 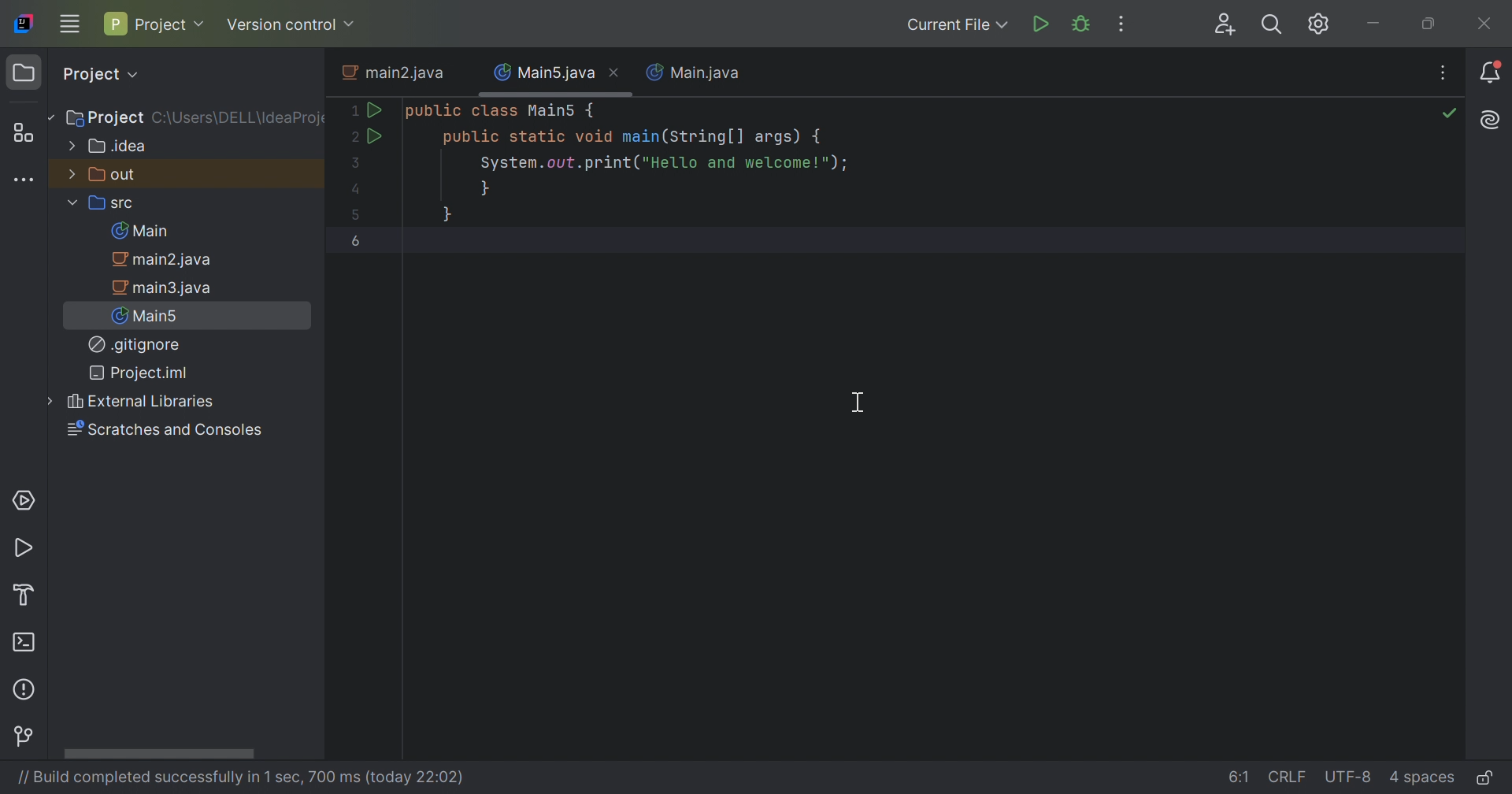 I want to click on External Libraries, so click(x=126, y=402).